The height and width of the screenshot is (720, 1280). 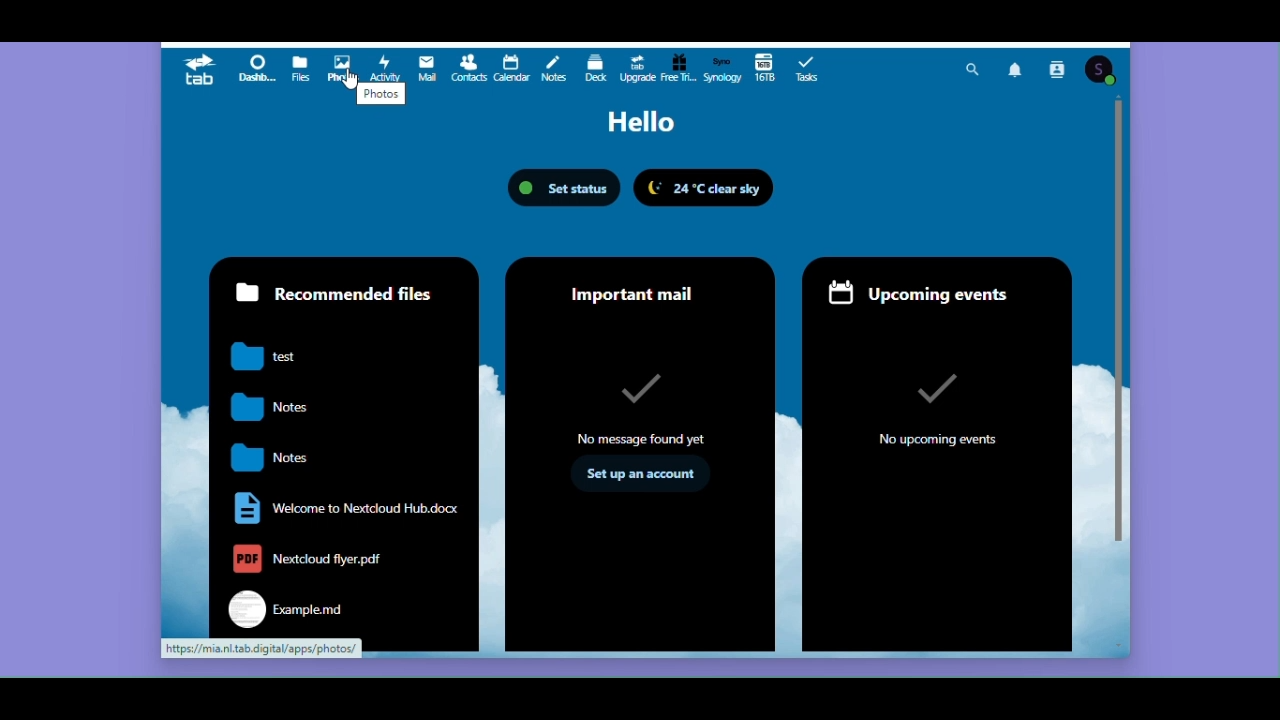 I want to click on Photos, so click(x=345, y=67).